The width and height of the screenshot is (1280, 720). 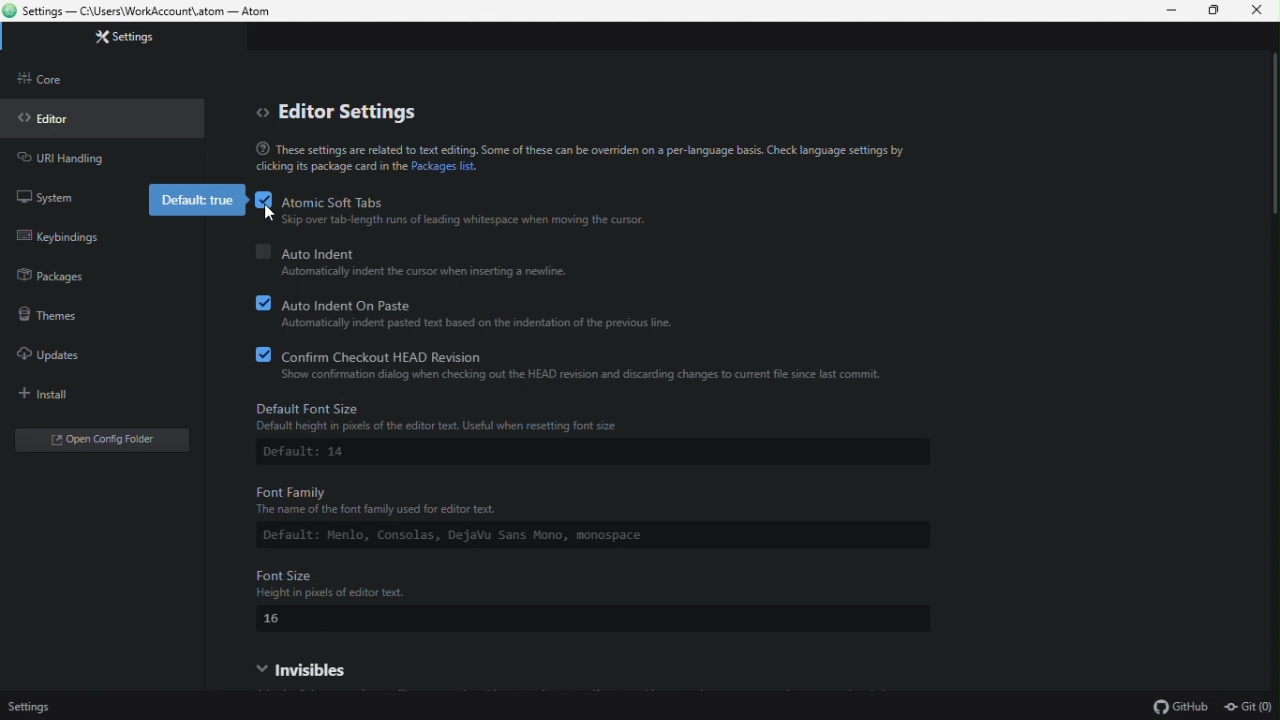 What do you see at coordinates (50, 201) in the screenshot?
I see `System` at bounding box center [50, 201].